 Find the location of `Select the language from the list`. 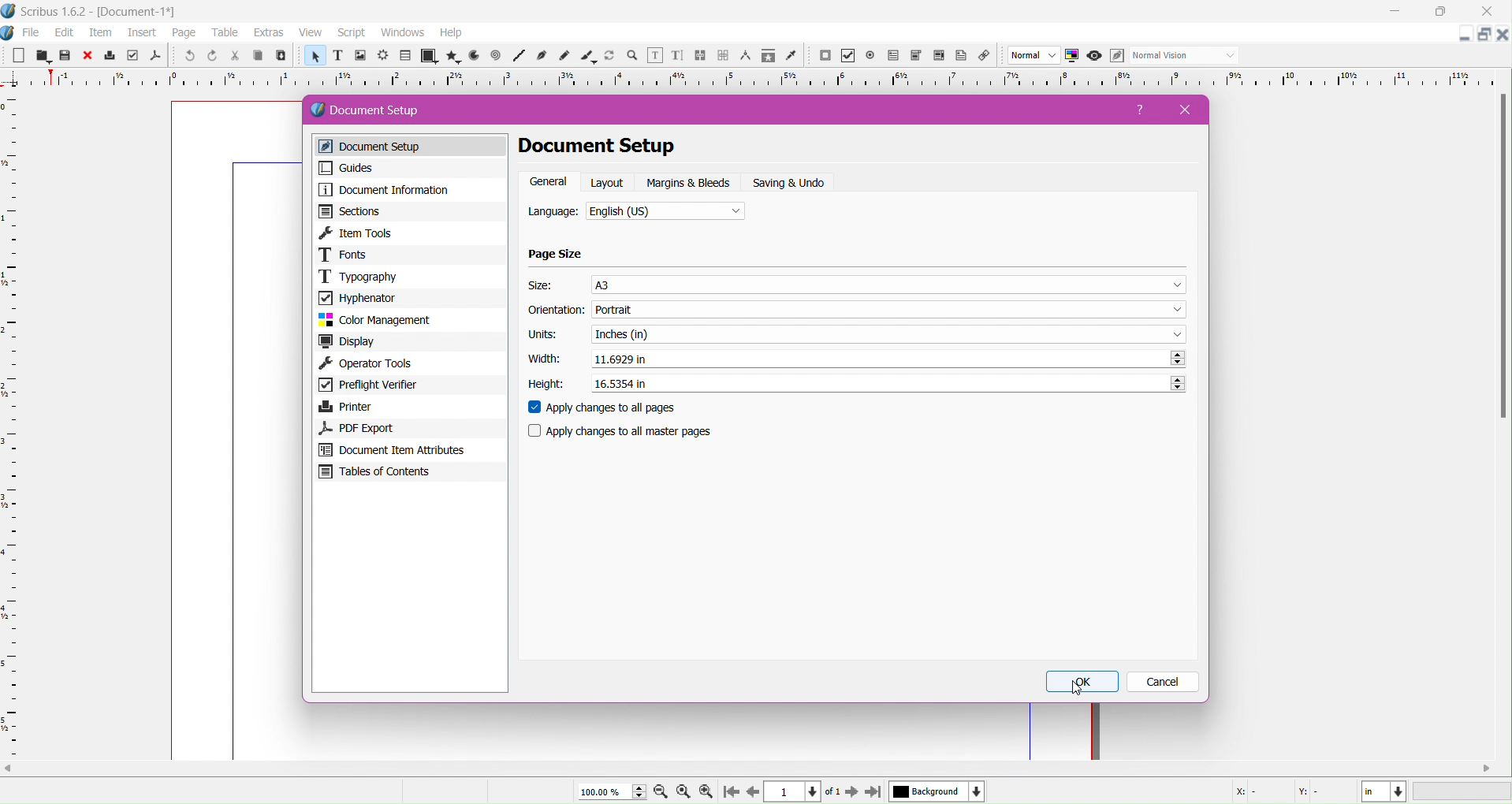

Select the language from the list is located at coordinates (666, 213).